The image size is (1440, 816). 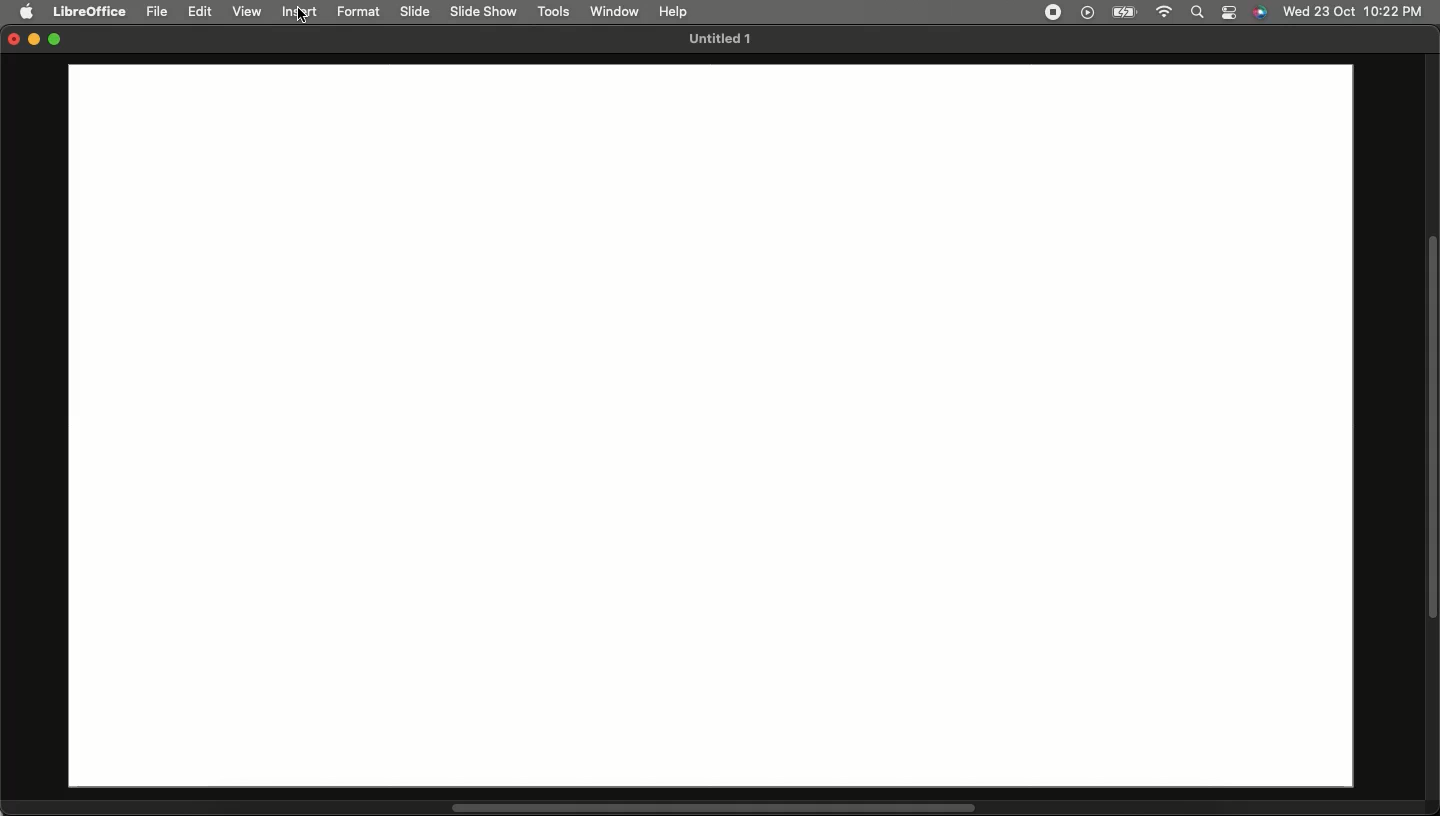 What do you see at coordinates (29, 13) in the screenshot?
I see `Apple logo` at bounding box center [29, 13].